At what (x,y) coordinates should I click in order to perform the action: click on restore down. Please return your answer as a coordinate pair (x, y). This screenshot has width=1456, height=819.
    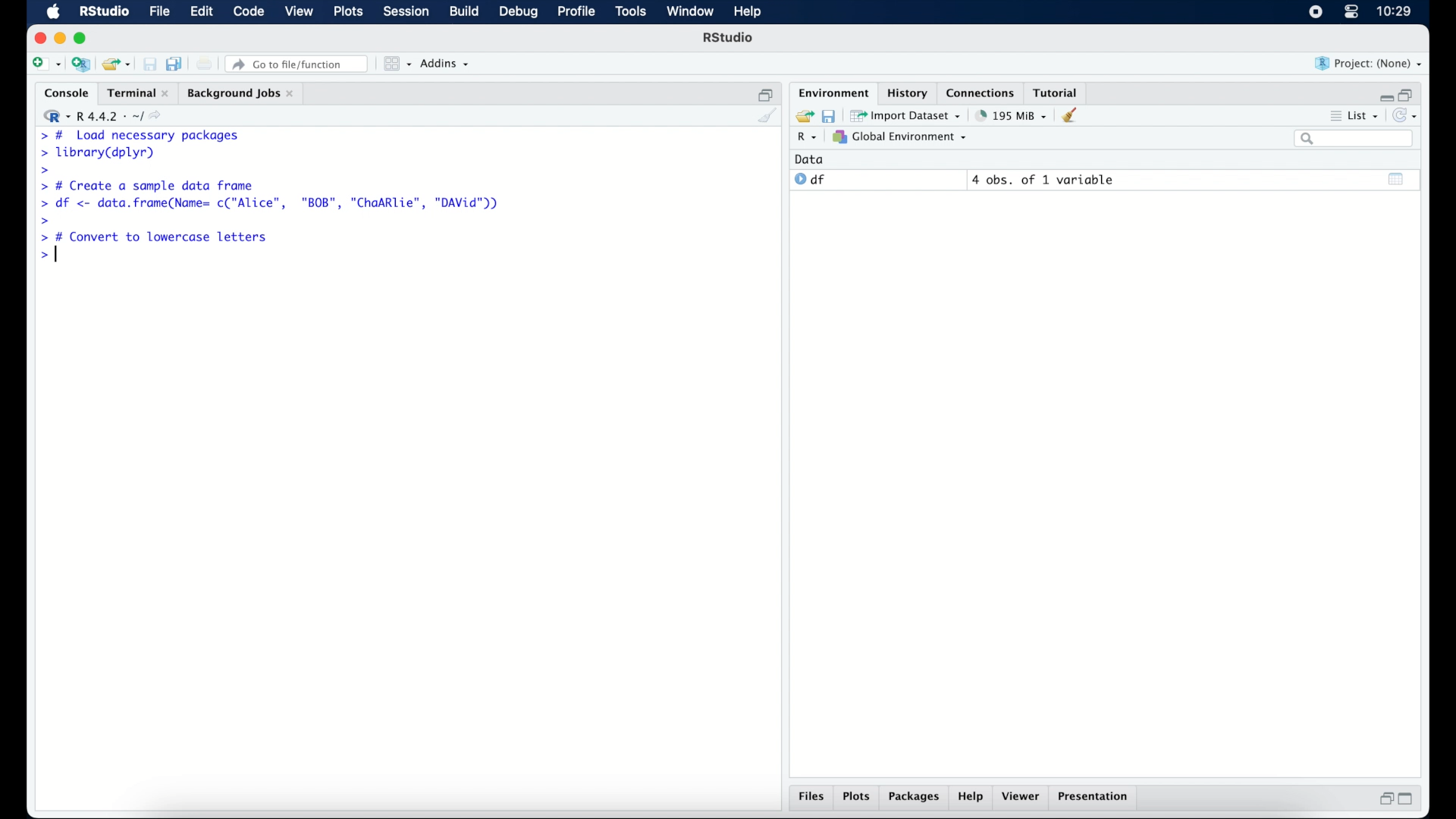
    Looking at the image, I should click on (766, 93).